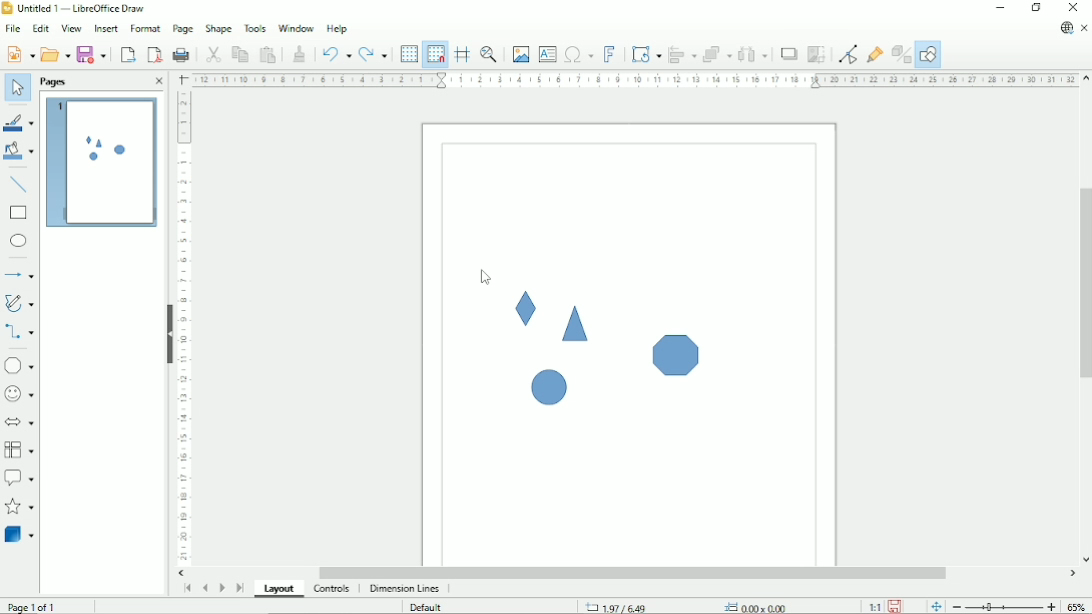 This screenshot has height=614, width=1092. Describe the element at coordinates (19, 186) in the screenshot. I see `Insert line` at that location.